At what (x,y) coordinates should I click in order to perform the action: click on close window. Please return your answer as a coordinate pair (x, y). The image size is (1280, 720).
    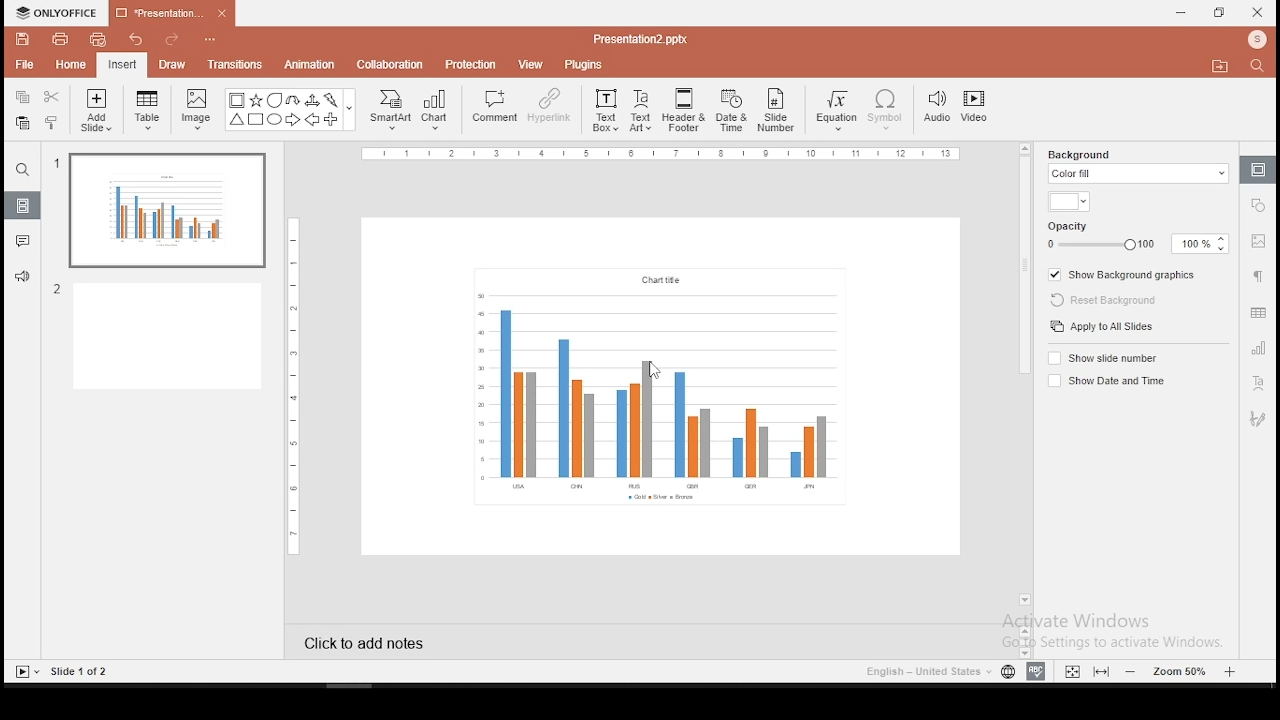
    Looking at the image, I should click on (1258, 13).